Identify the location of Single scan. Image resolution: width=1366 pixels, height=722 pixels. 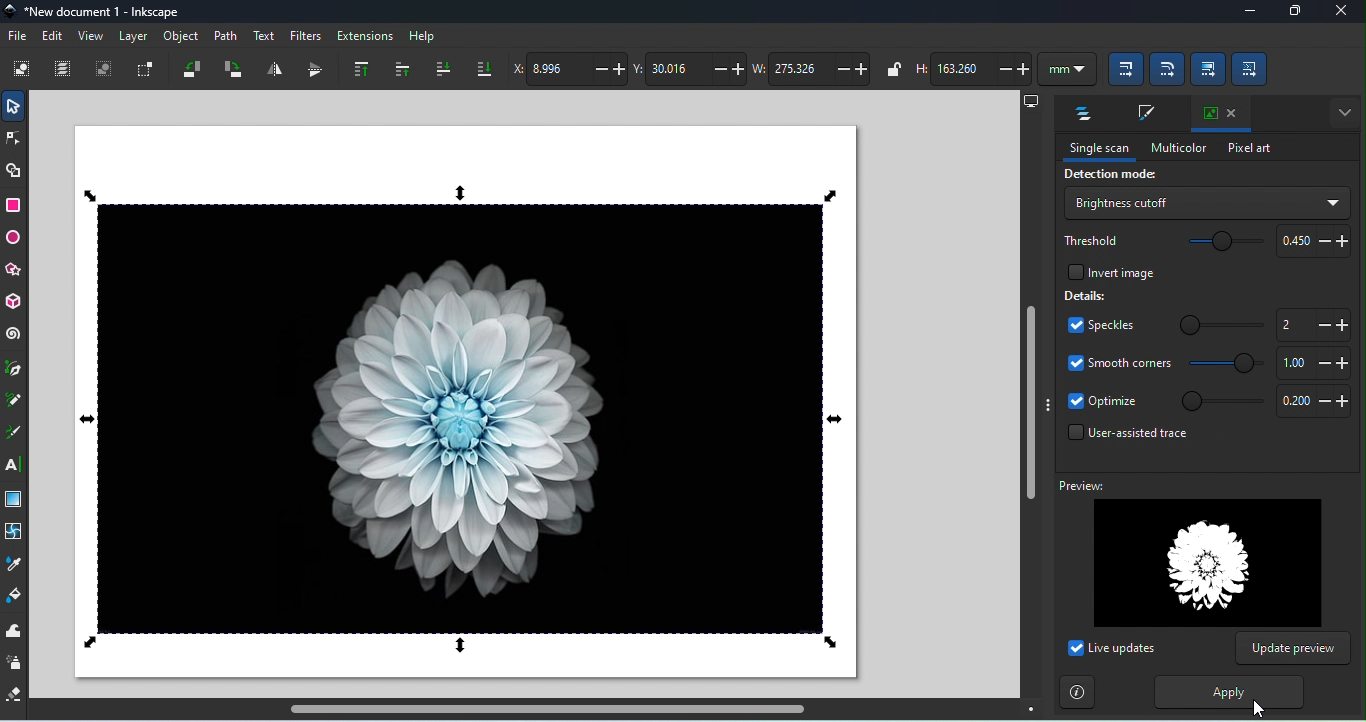
(1098, 150).